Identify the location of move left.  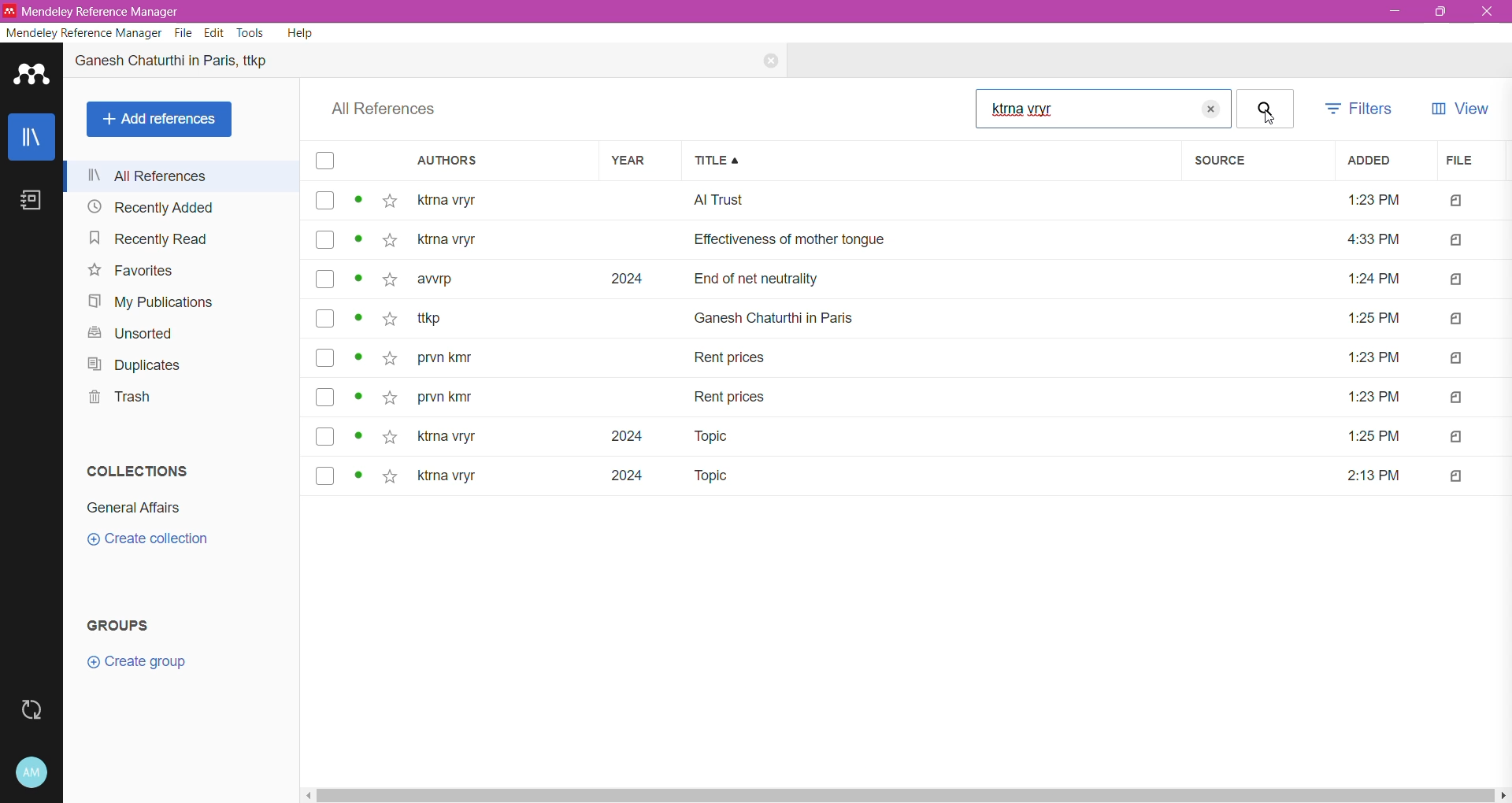
(307, 796).